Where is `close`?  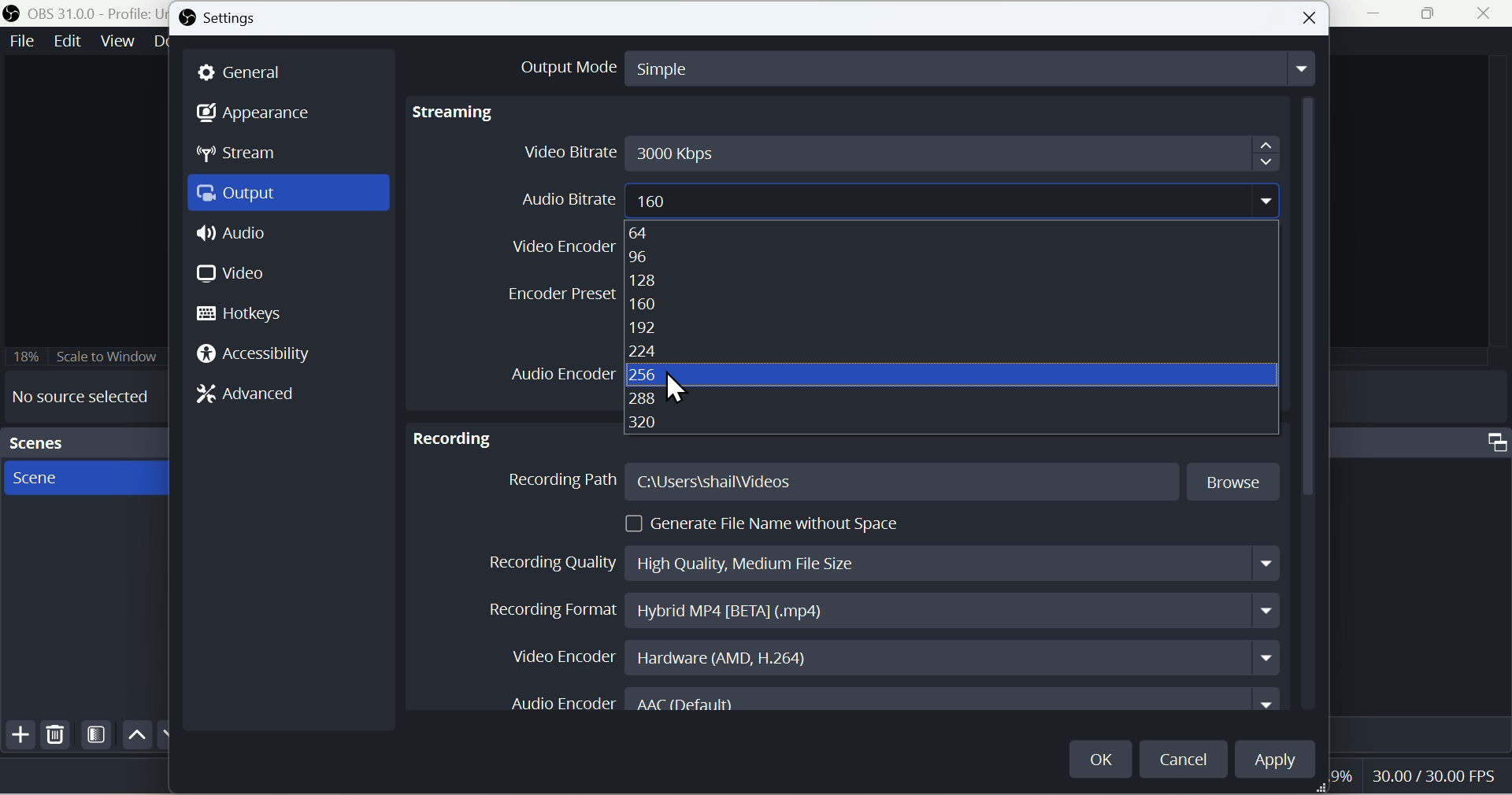
close is located at coordinates (1488, 15).